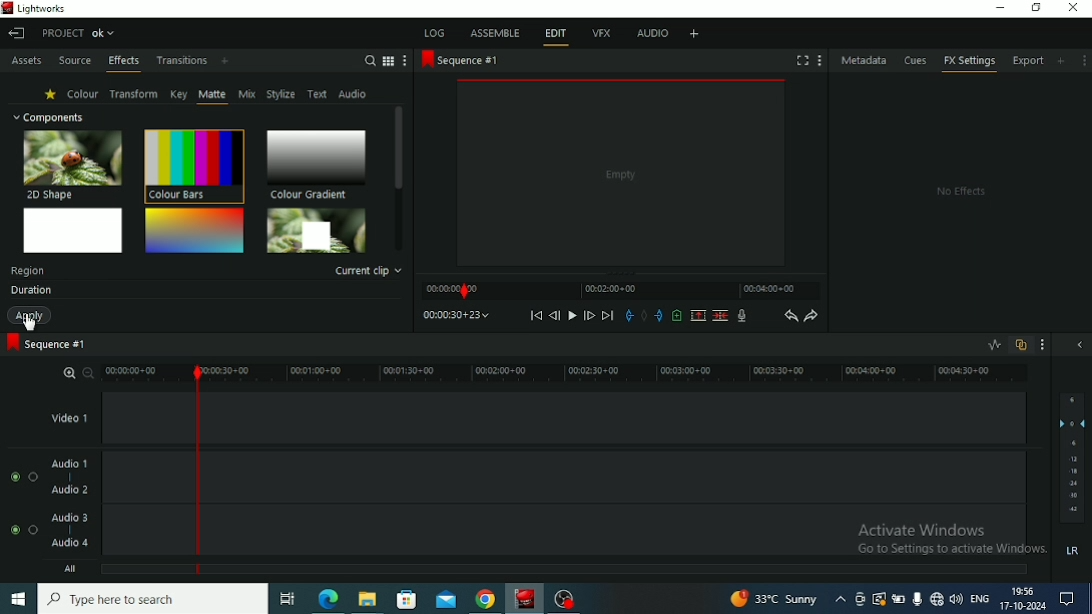 Image resolution: width=1092 pixels, height=614 pixels. Describe the element at coordinates (1079, 346) in the screenshot. I see `Show/hide the full audio mix` at that location.